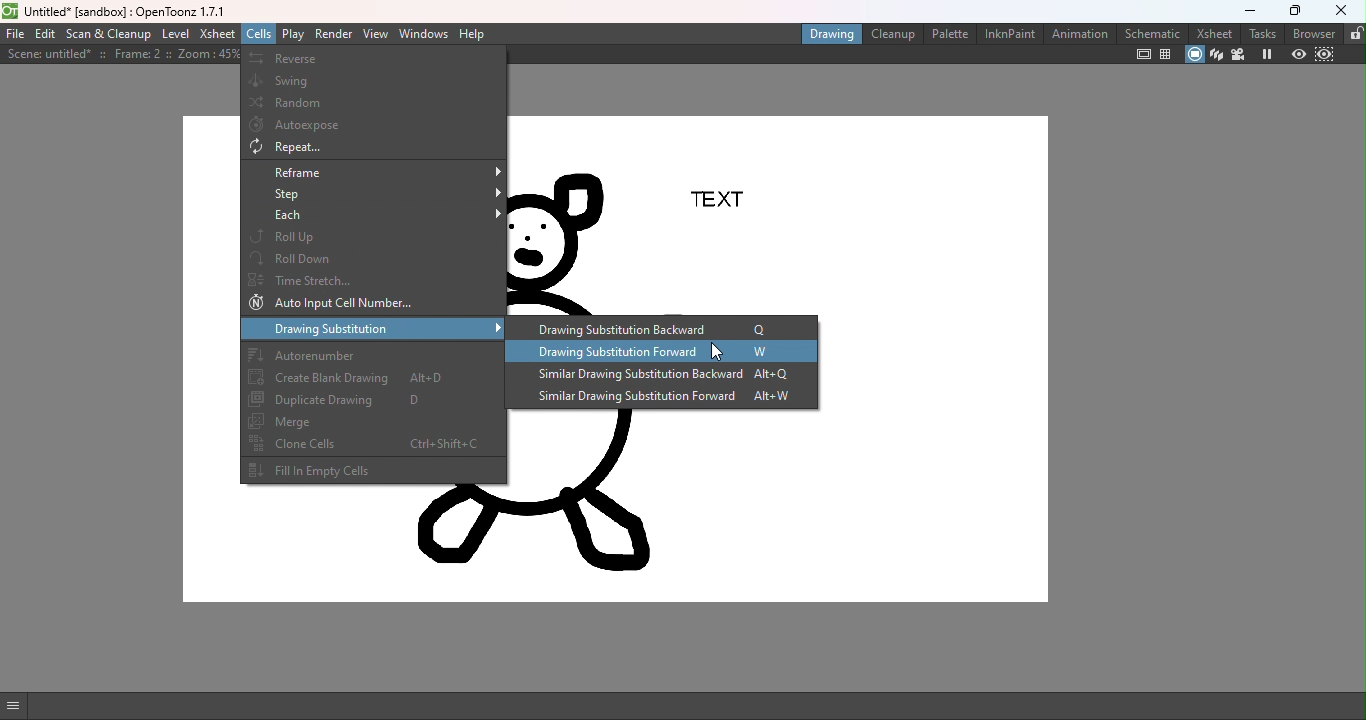 Image resolution: width=1366 pixels, height=720 pixels. Describe the element at coordinates (175, 34) in the screenshot. I see `Level` at that location.